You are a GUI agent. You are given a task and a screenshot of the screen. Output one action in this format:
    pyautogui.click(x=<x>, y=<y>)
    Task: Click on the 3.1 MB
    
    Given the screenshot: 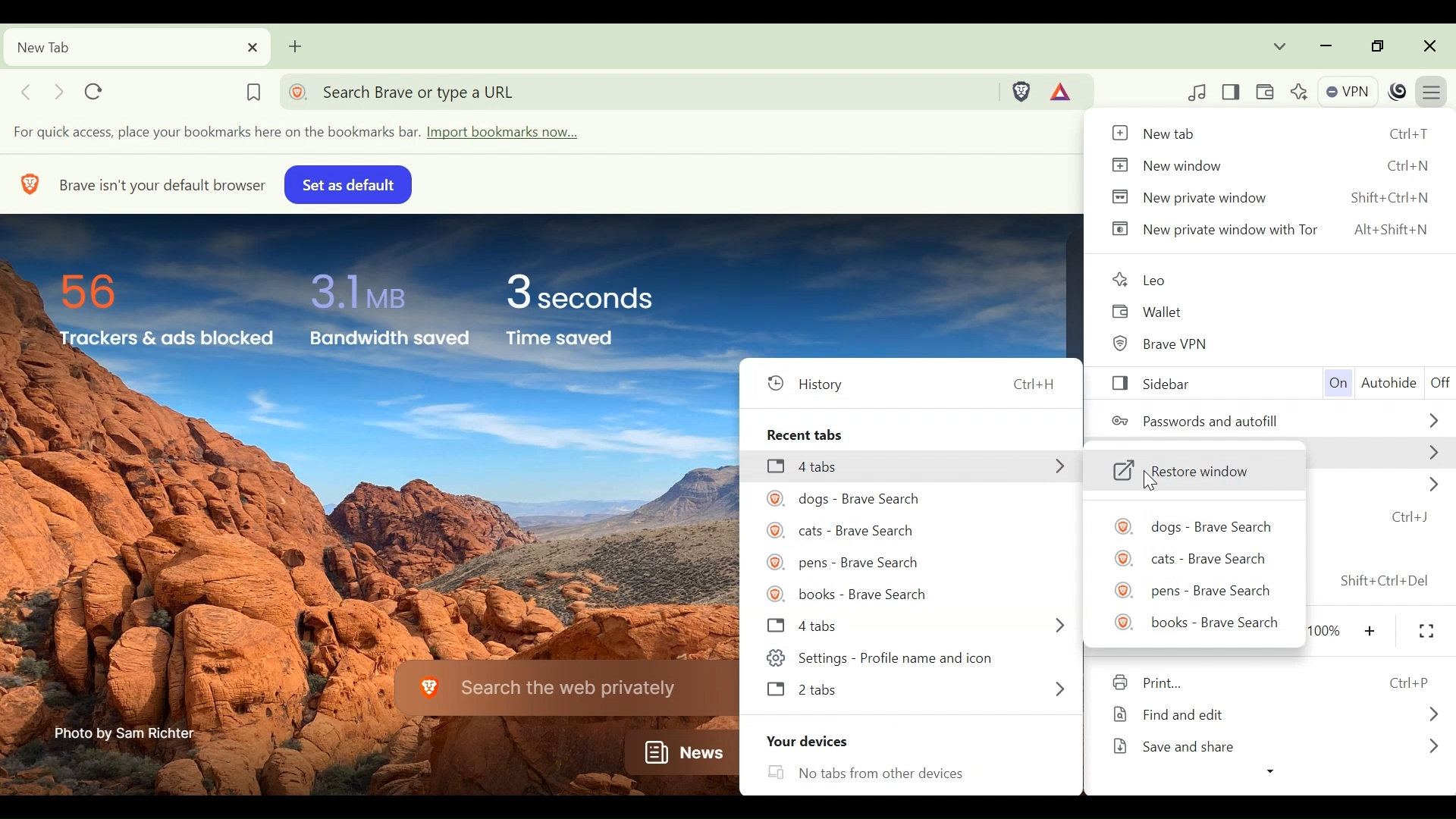 What is the action you would take?
    pyautogui.click(x=356, y=287)
    